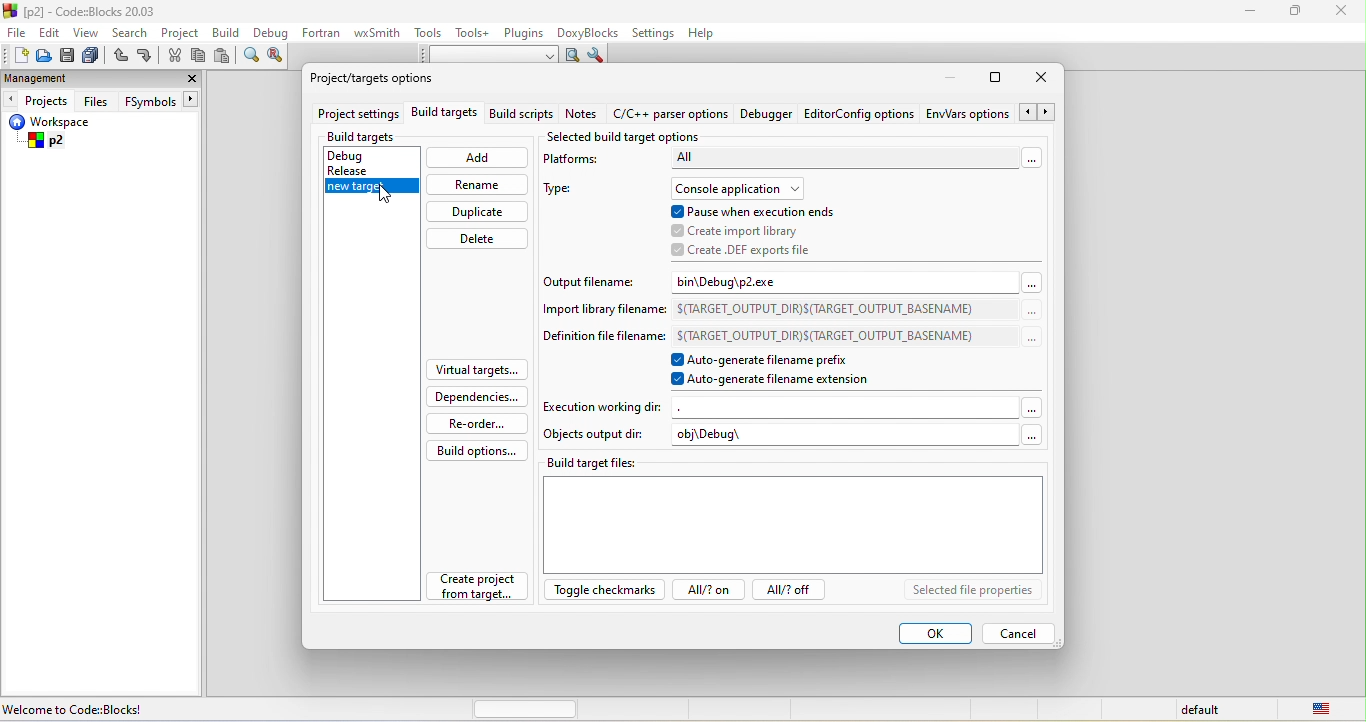 The width and height of the screenshot is (1366, 722). I want to click on add, so click(477, 160).